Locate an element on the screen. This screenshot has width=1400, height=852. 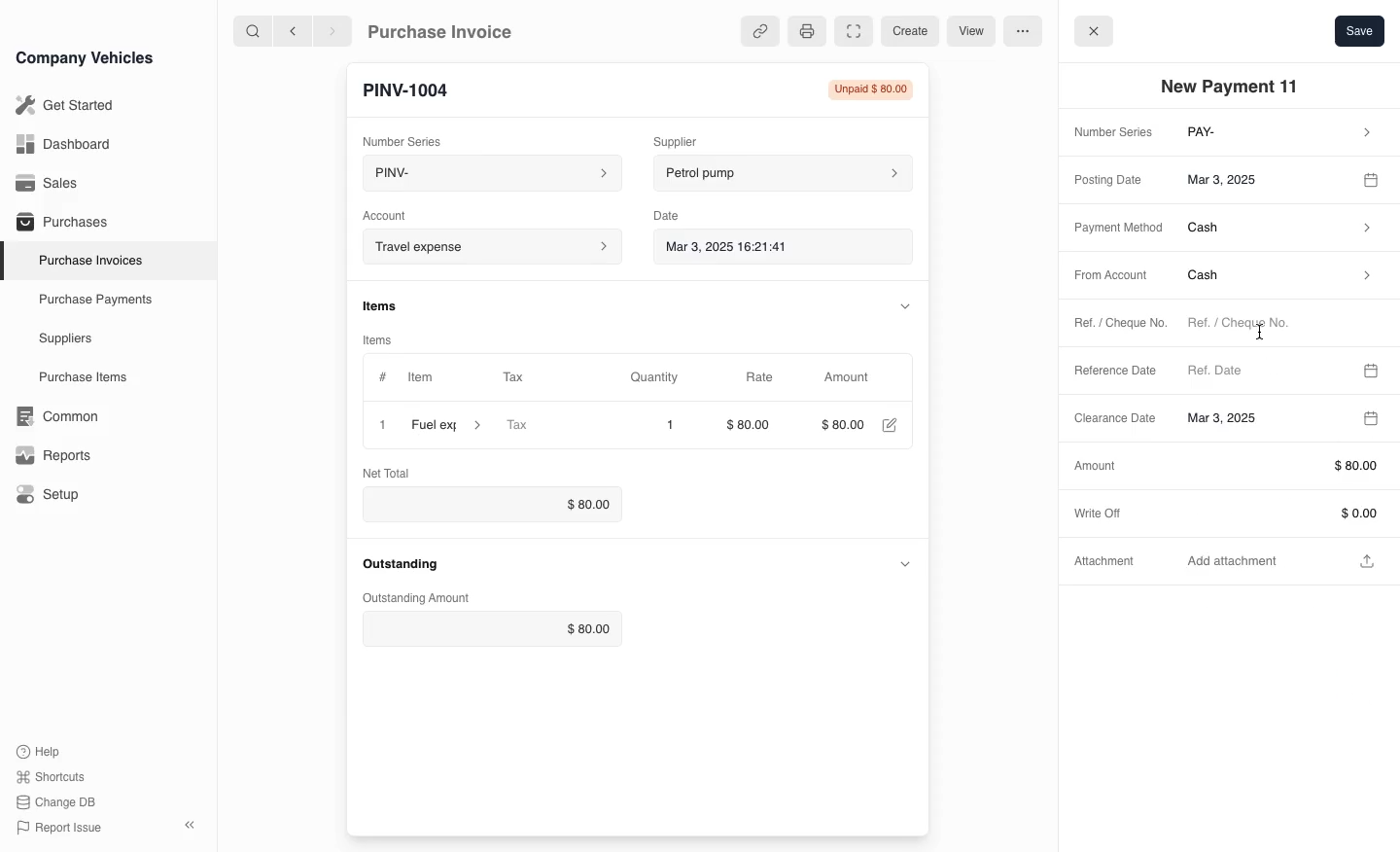
unpaid is located at coordinates (864, 89).